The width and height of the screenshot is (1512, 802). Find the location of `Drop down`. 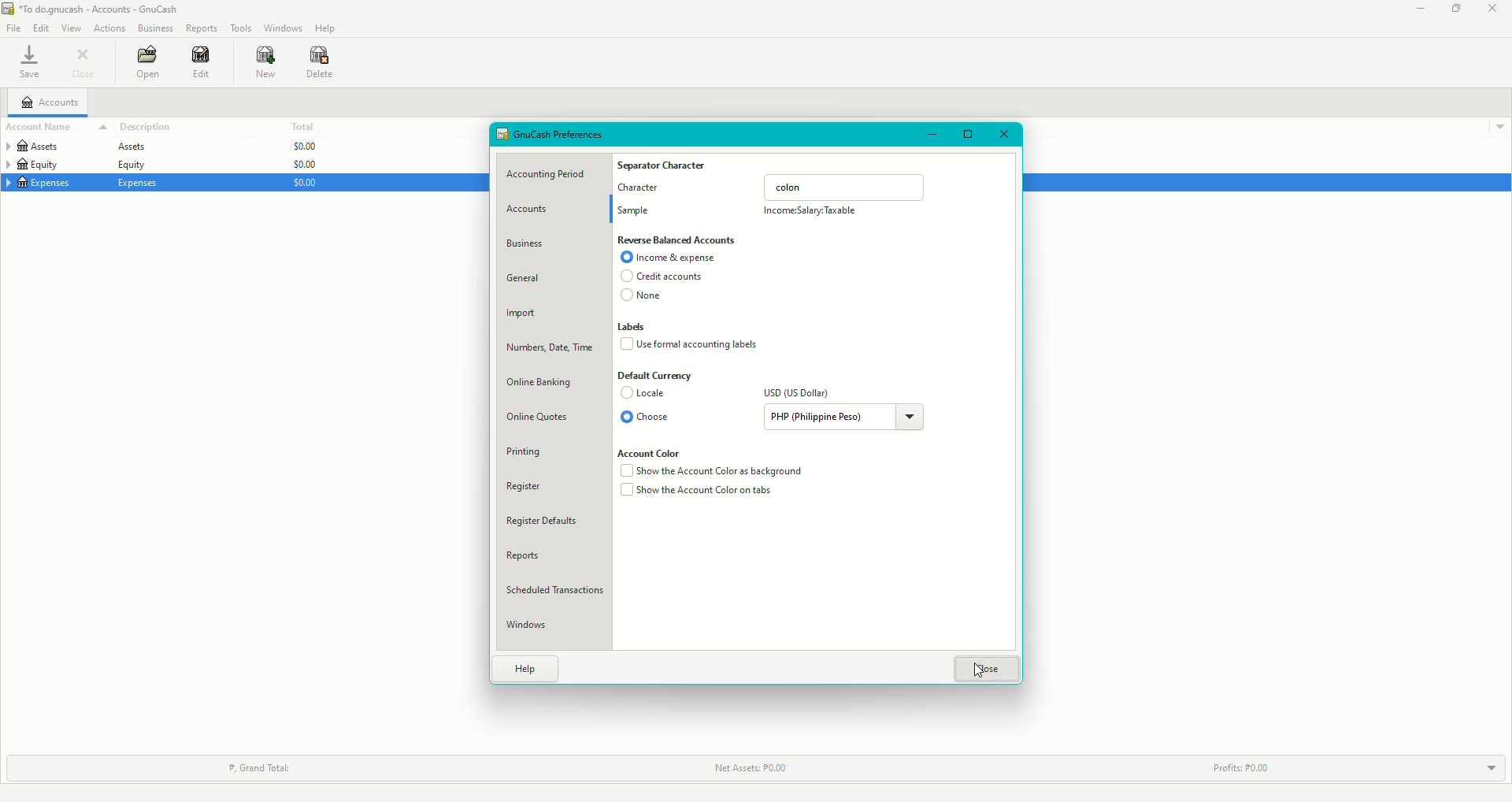

Drop down is located at coordinates (1501, 128).